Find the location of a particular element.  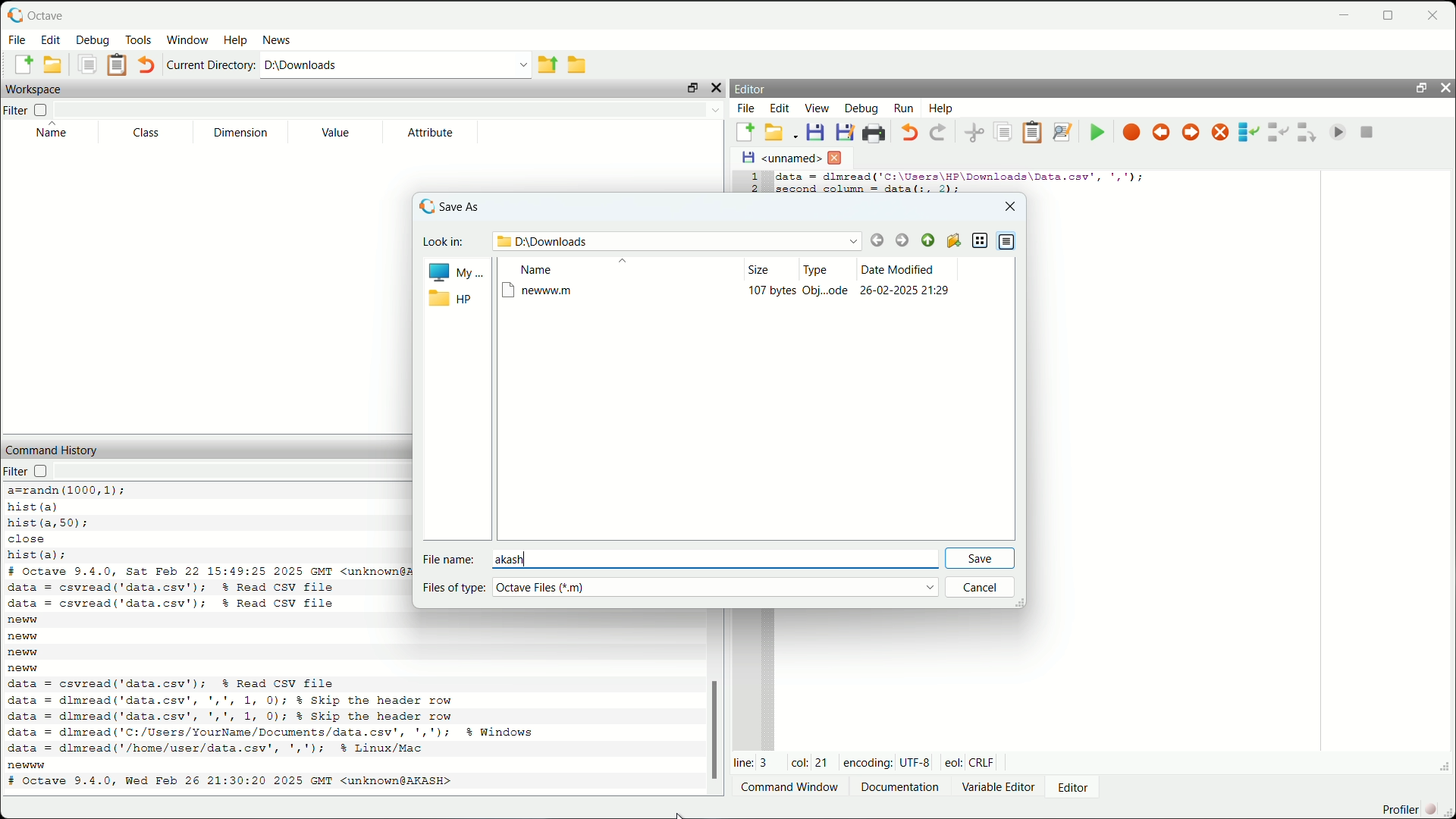

look in is located at coordinates (441, 240).